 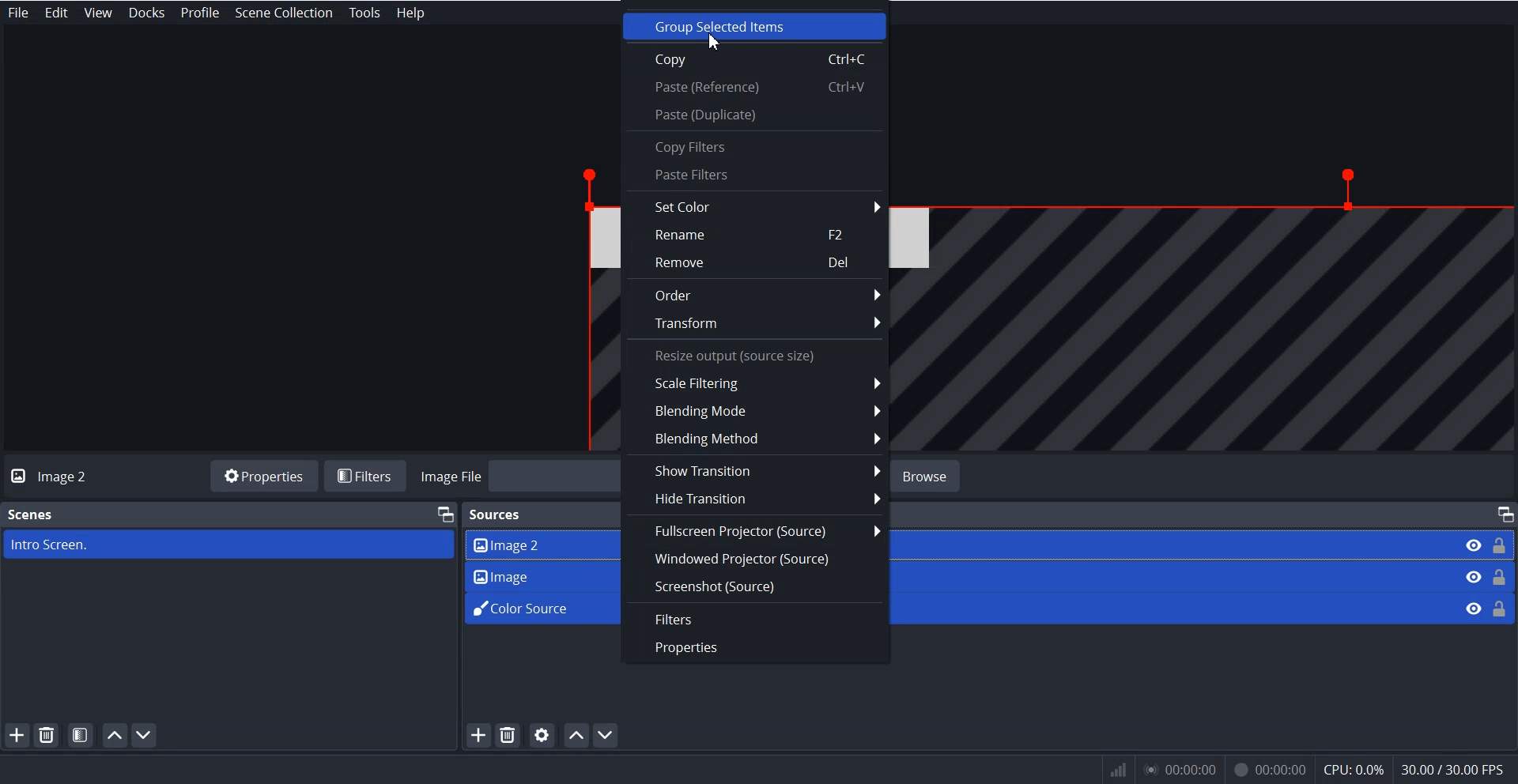 I want to click on Windowed Properties, so click(x=755, y=560).